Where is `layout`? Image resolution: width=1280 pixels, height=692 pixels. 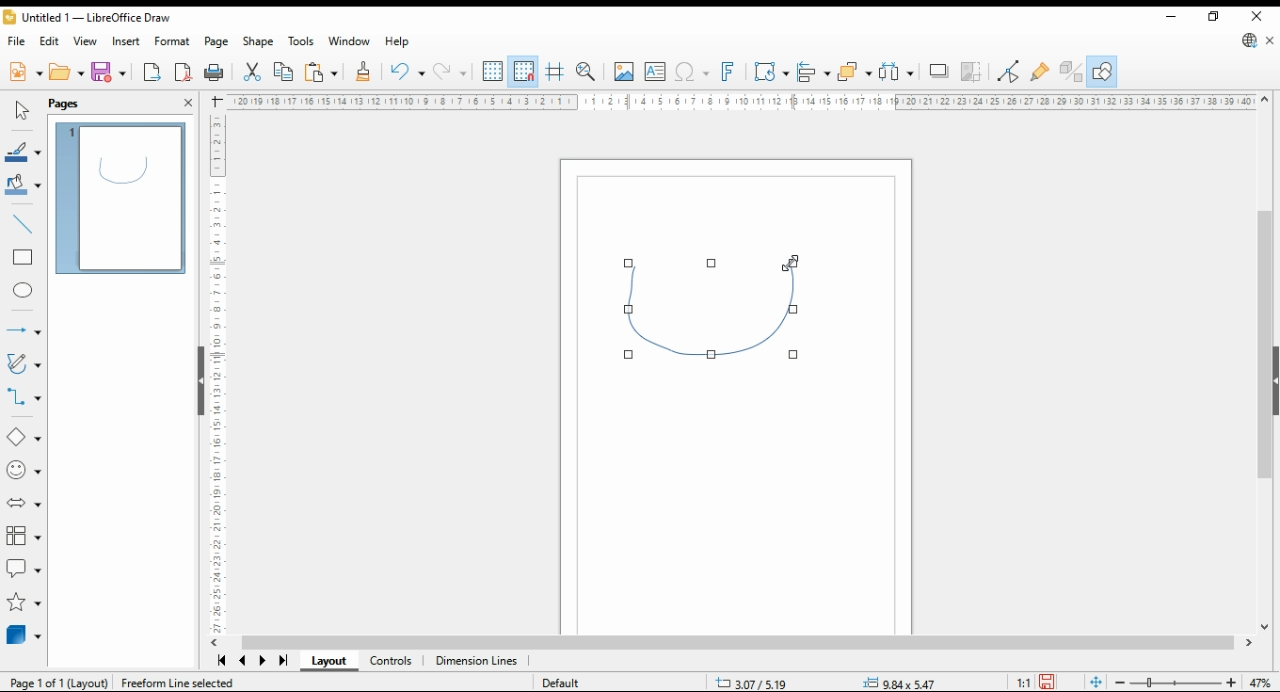
layout is located at coordinates (328, 661).